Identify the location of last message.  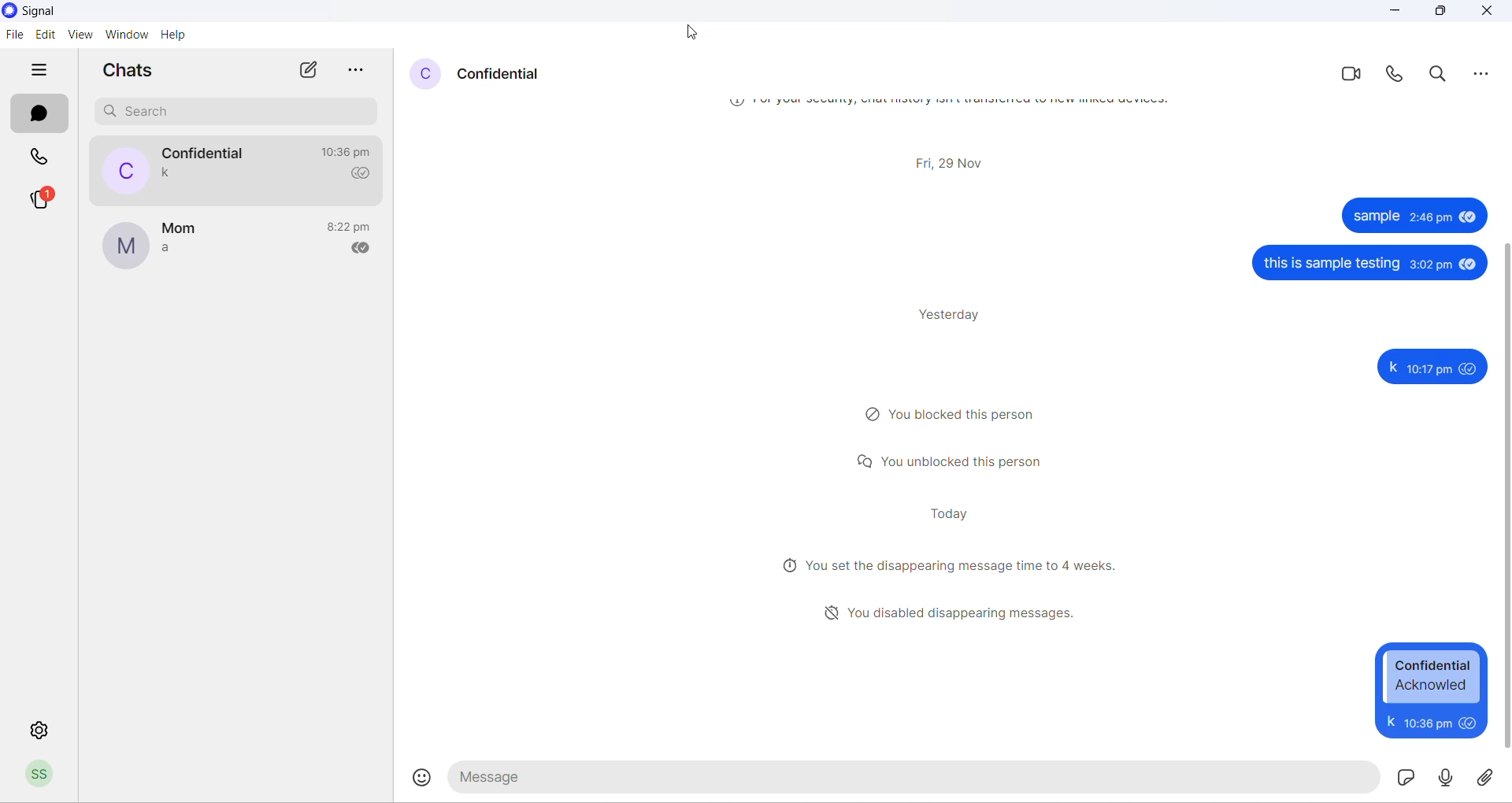
(166, 251).